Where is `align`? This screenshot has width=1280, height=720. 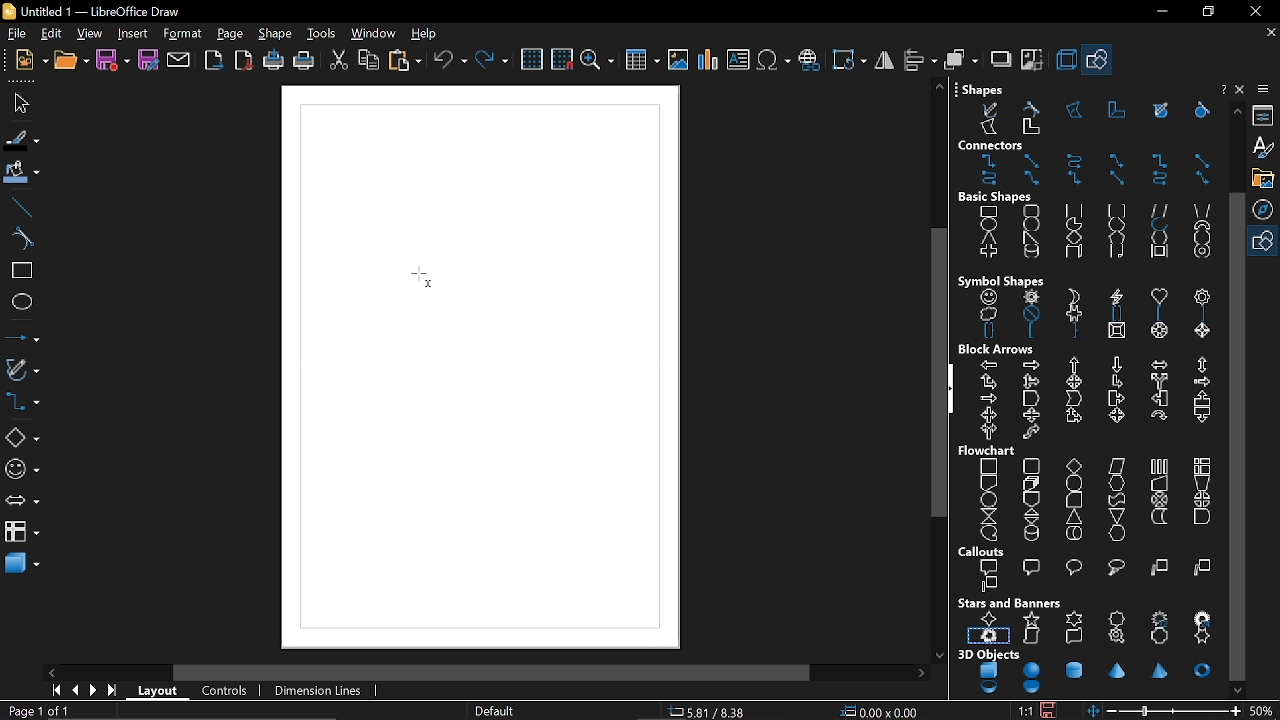
align is located at coordinates (918, 60).